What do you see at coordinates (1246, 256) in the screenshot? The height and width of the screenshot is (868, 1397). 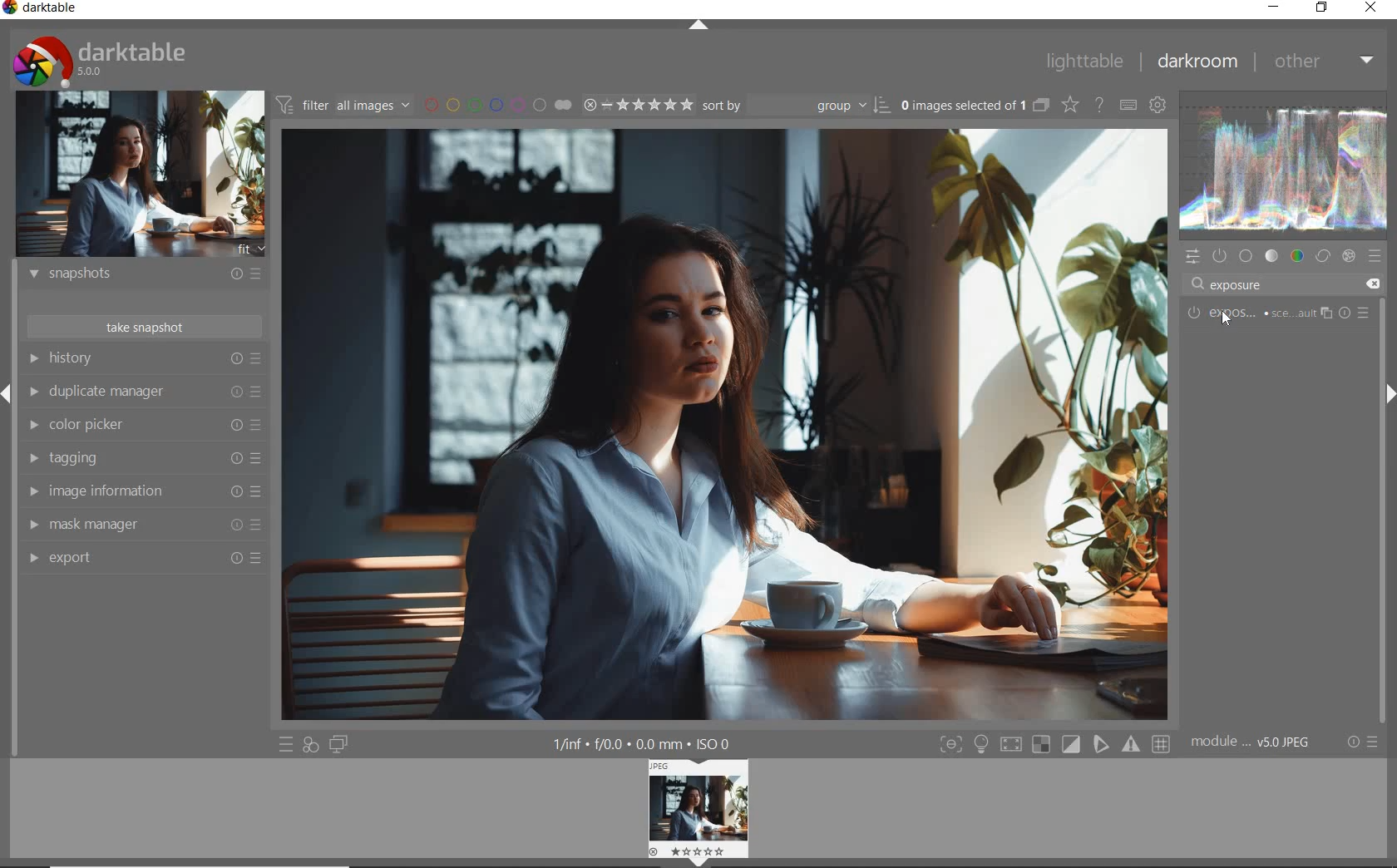 I see `base` at bounding box center [1246, 256].